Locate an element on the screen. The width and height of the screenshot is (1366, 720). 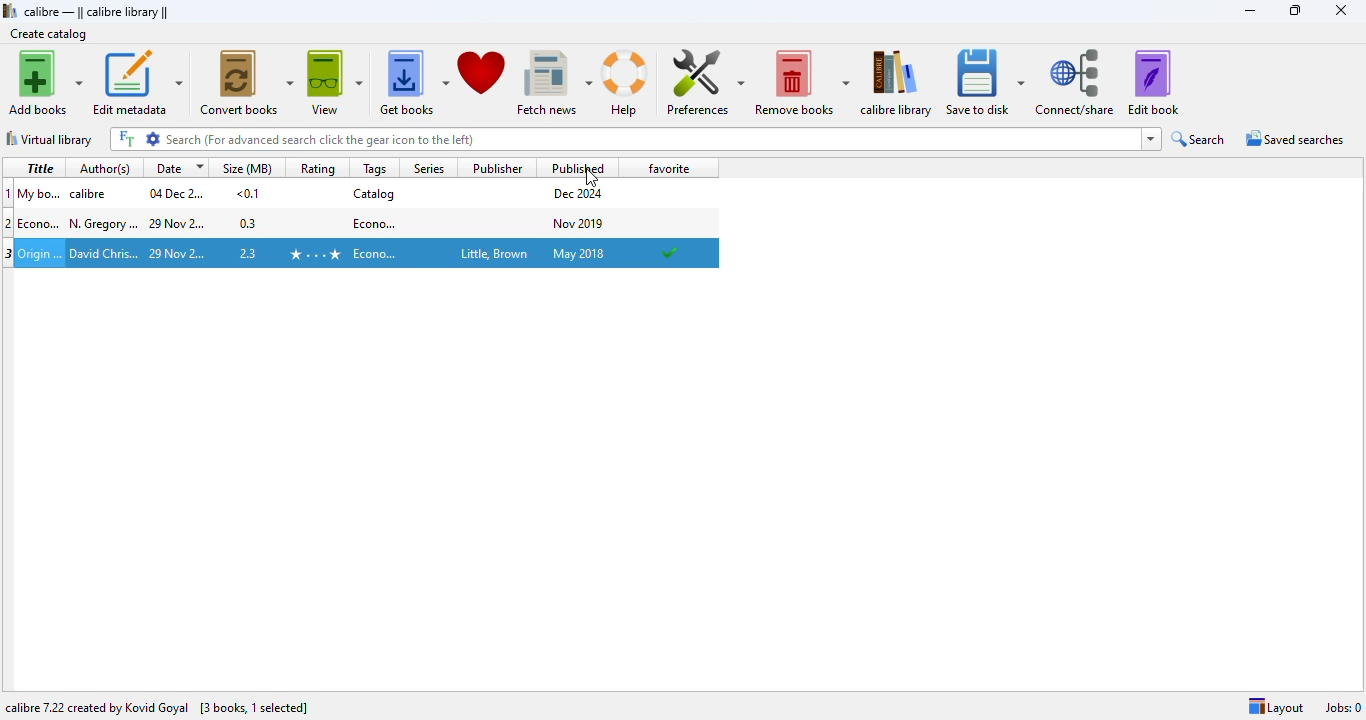
preferences is located at coordinates (705, 82).